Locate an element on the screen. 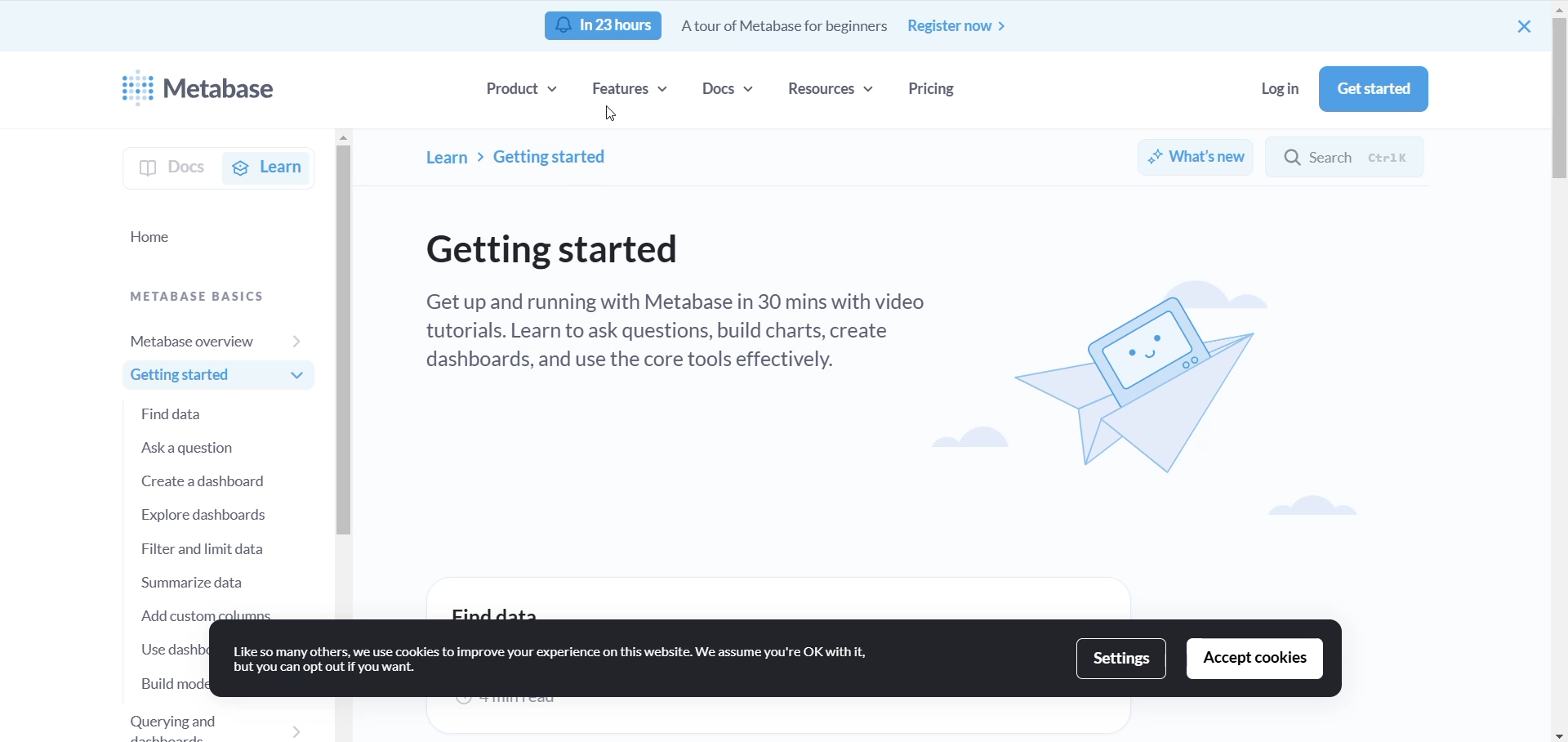 The width and height of the screenshot is (1568, 742). add custom is located at coordinates (207, 616).